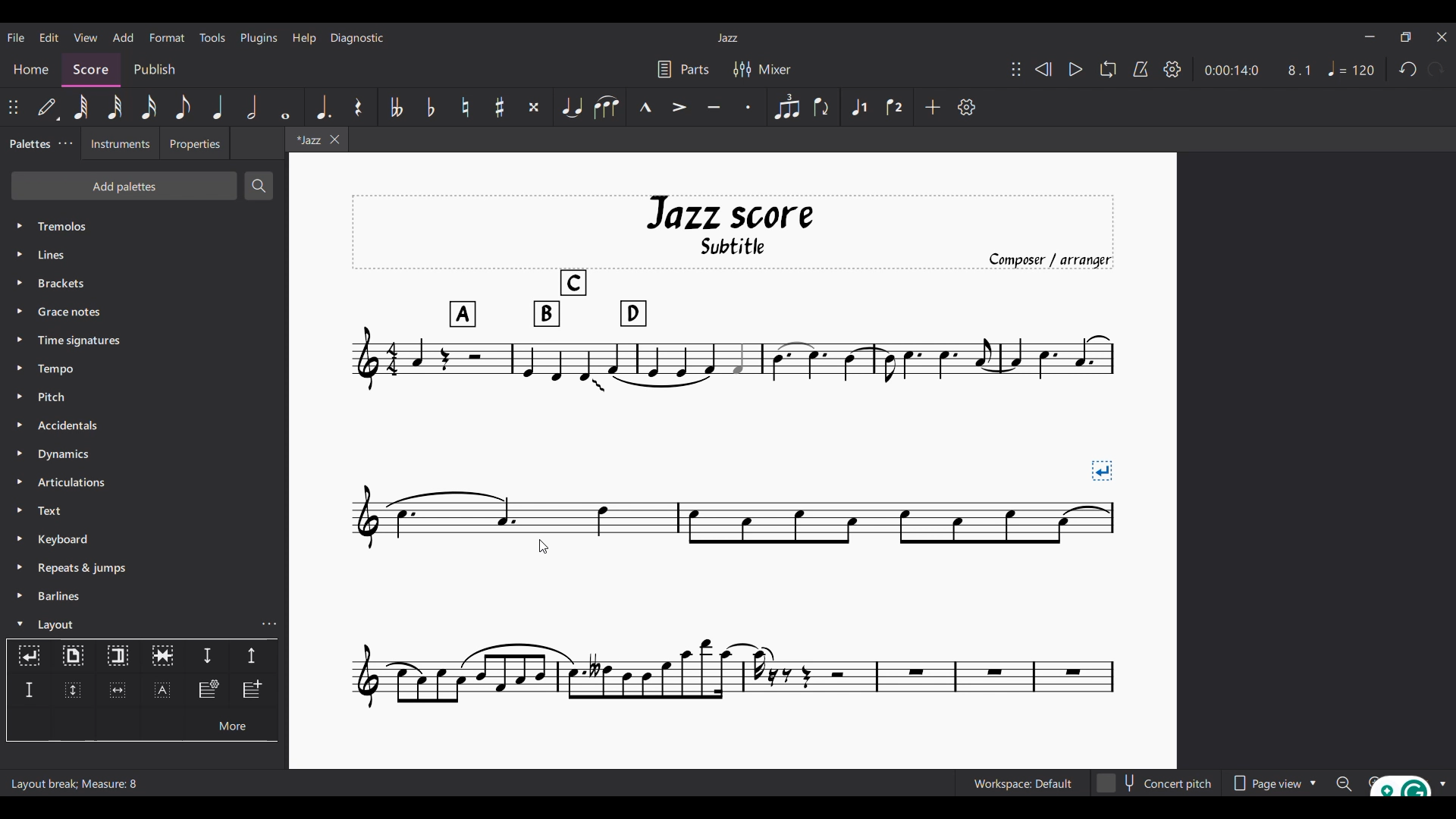  I want to click on Insert vertical frame, so click(72, 691).